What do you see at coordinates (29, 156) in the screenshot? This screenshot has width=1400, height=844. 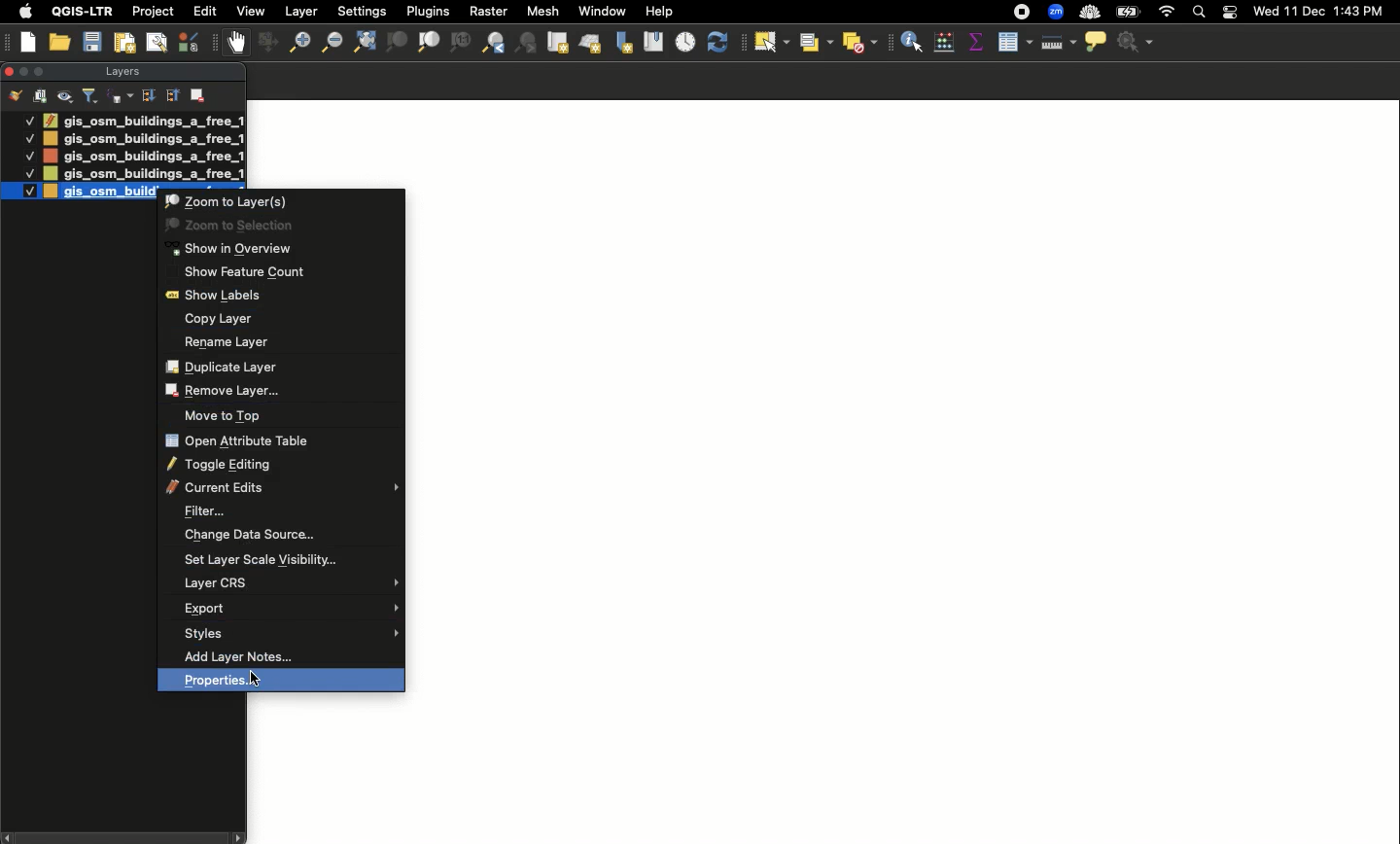 I see `Checked` at bounding box center [29, 156].